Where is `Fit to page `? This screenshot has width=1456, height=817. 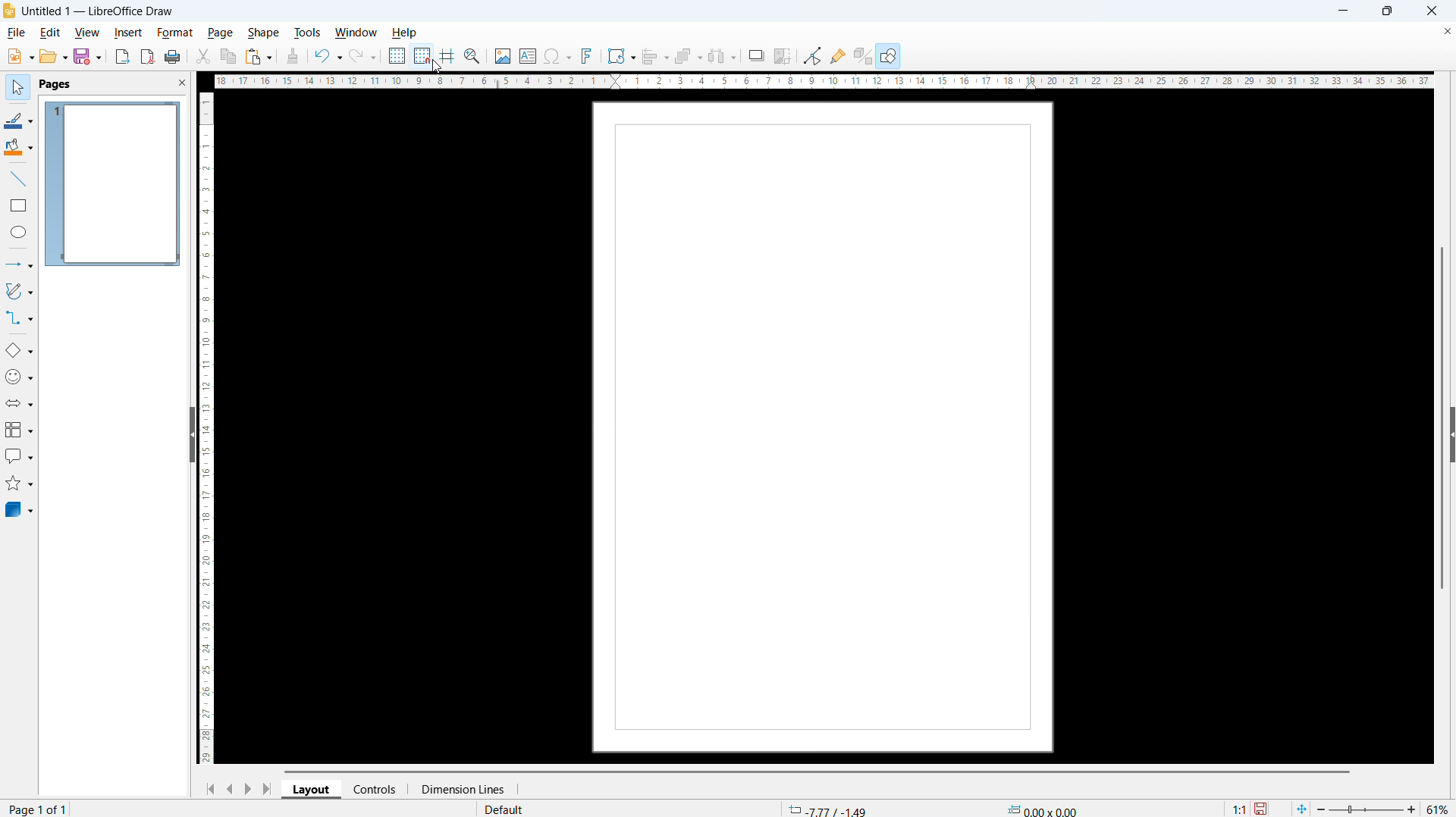 Fit to page  is located at coordinates (1299, 807).